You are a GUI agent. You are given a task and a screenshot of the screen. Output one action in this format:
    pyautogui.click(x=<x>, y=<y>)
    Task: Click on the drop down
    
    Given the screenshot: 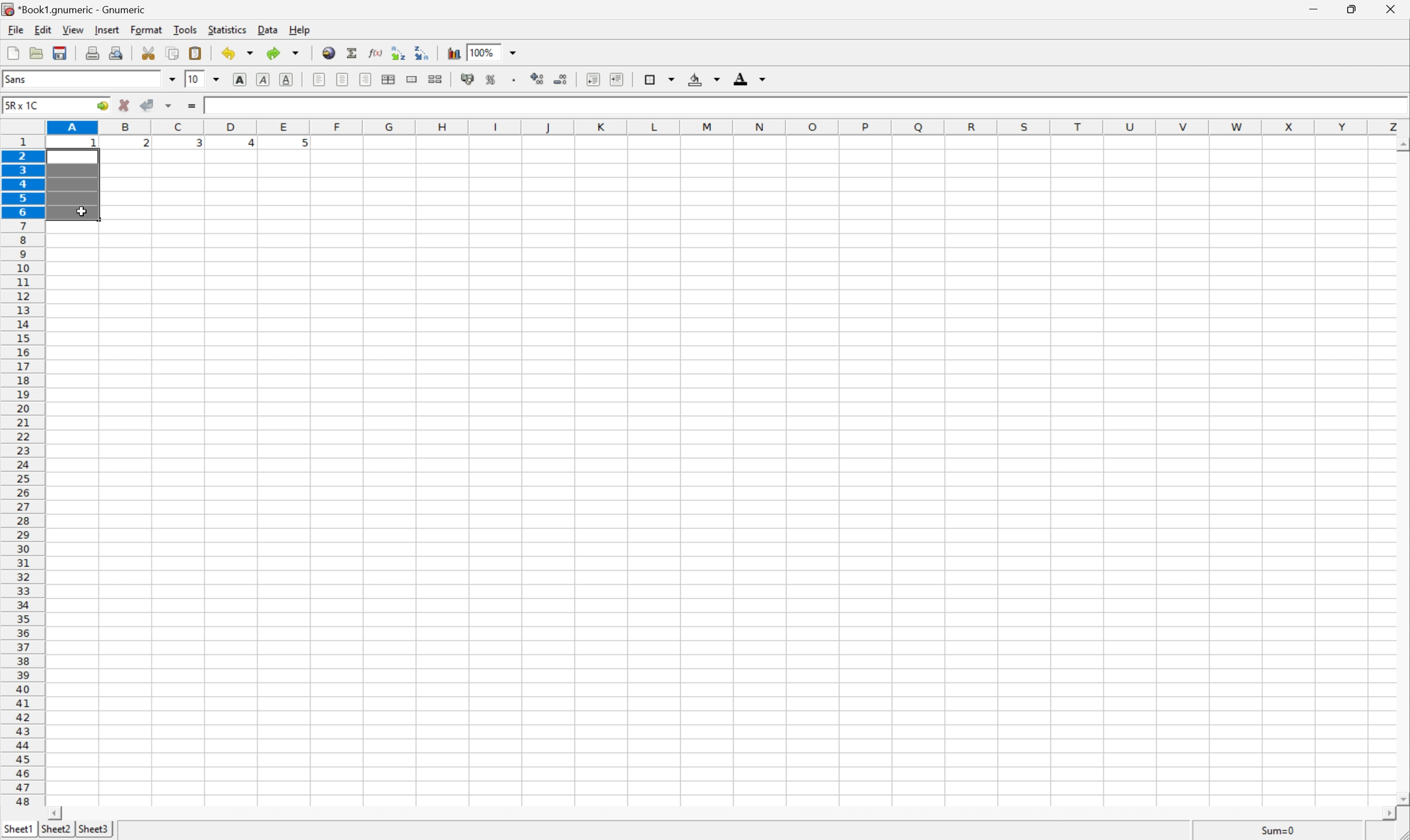 What is the action you would take?
    pyautogui.click(x=216, y=79)
    